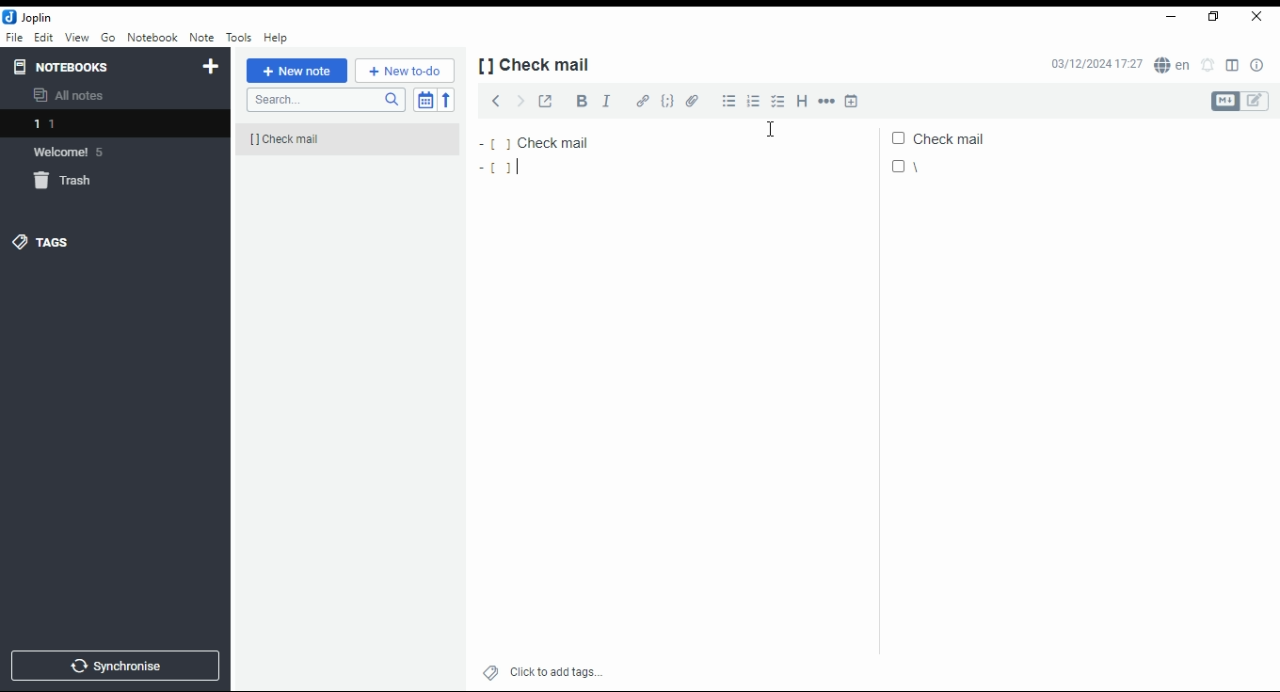 The width and height of the screenshot is (1280, 692). I want to click on previous, so click(494, 100).